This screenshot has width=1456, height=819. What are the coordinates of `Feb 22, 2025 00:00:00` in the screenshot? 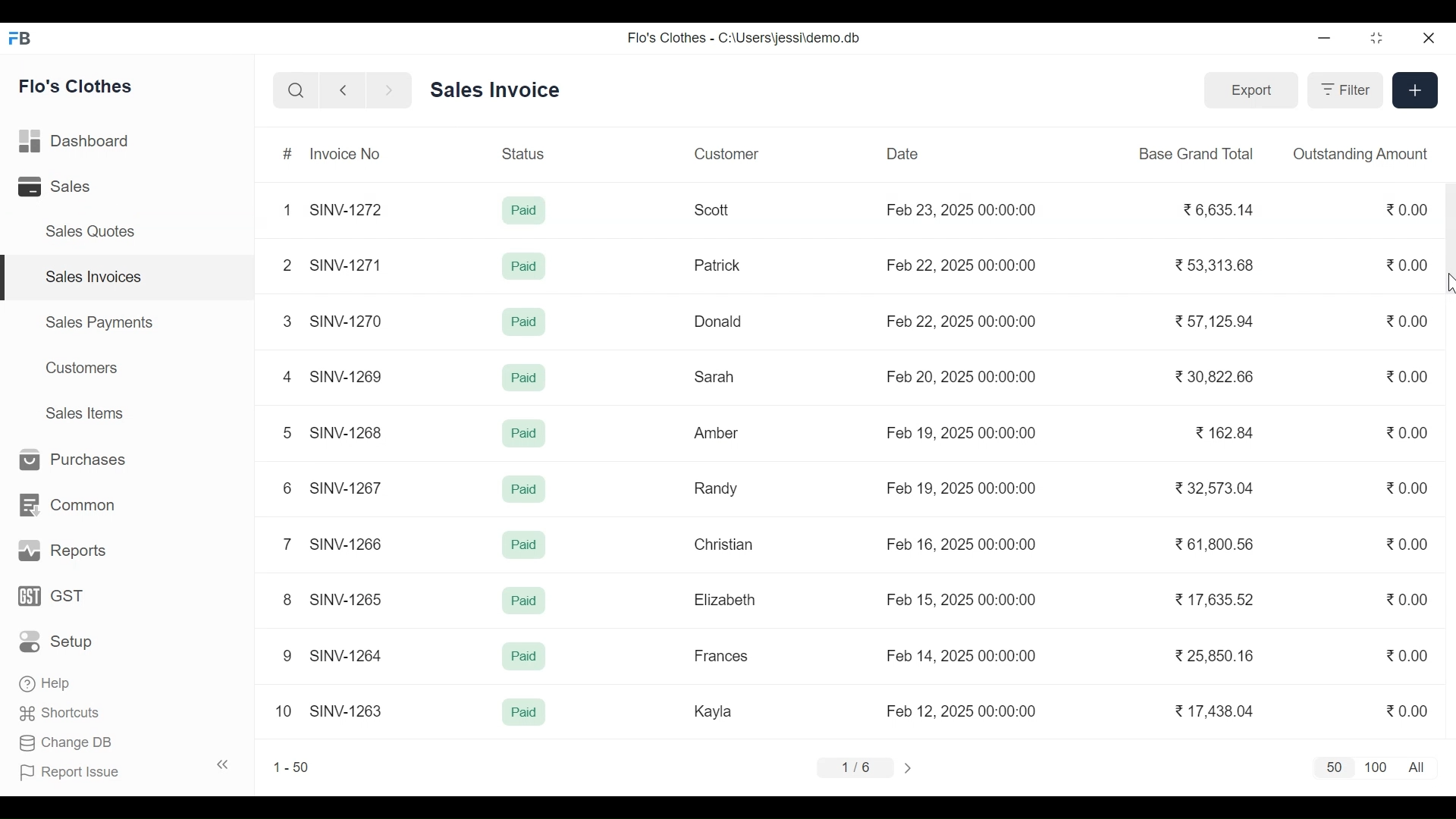 It's located at (965, 263).